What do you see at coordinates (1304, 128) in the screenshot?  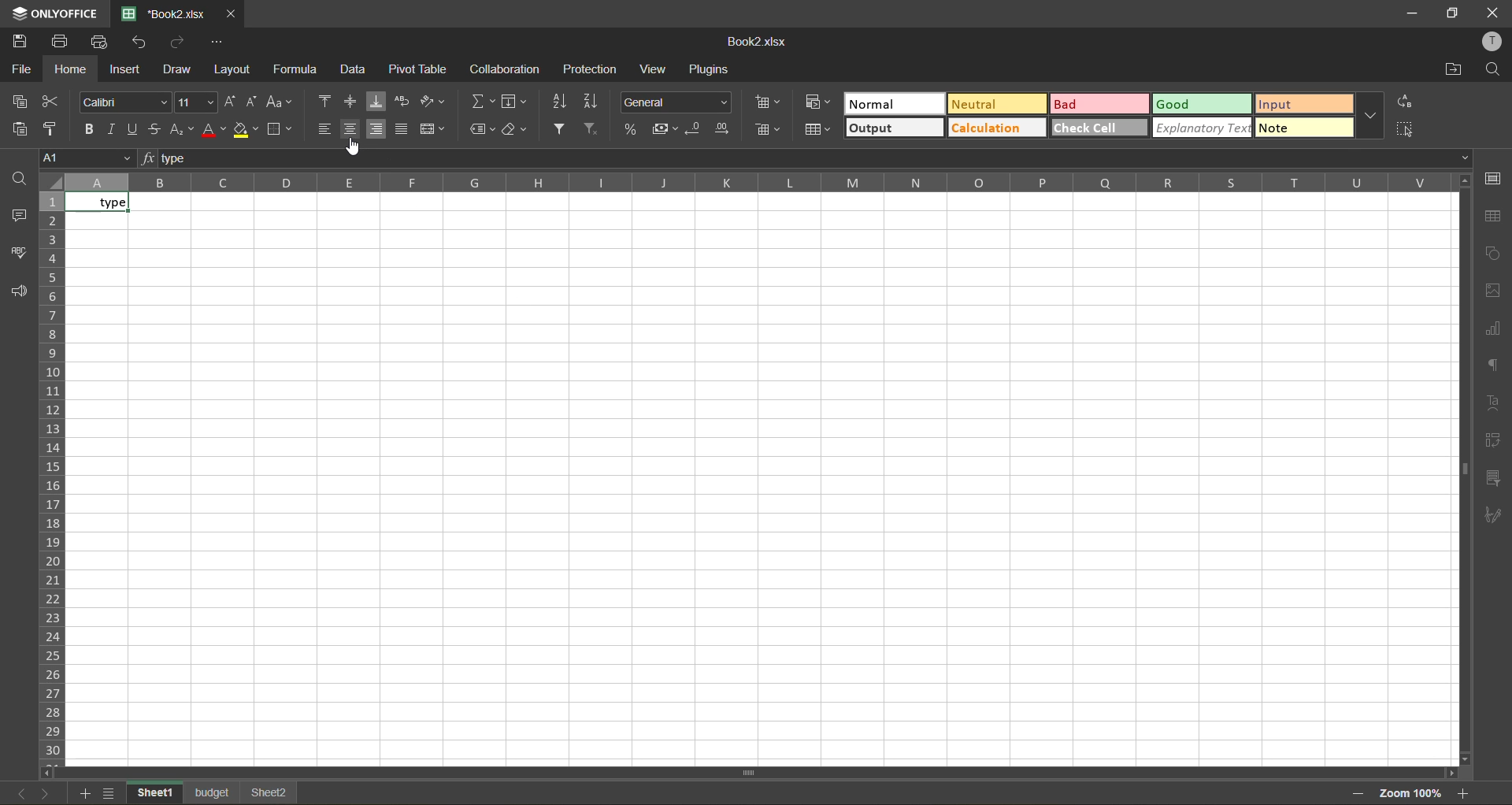 I see `note` at bounding box center [1304, 128].